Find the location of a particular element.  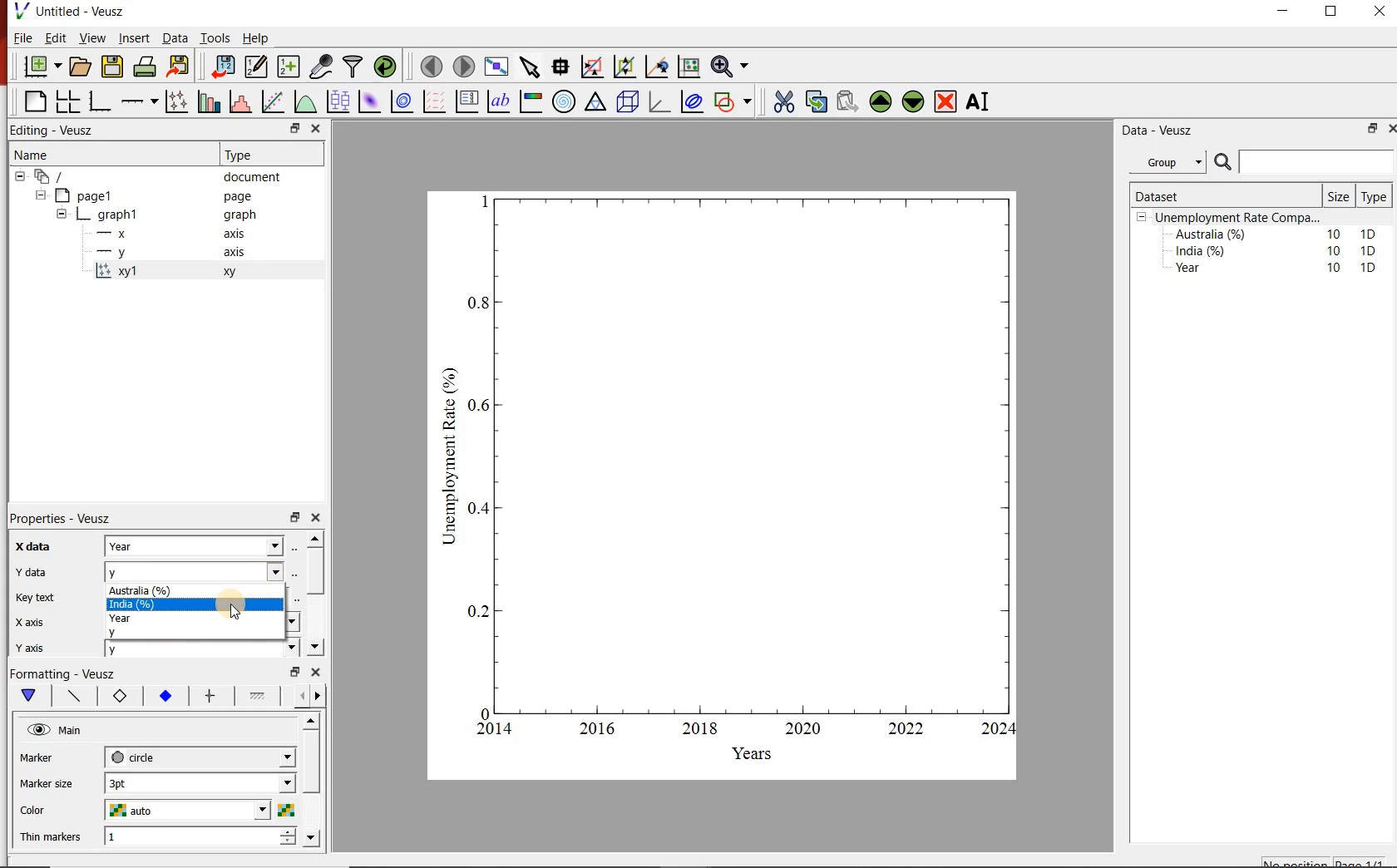

marker fill  is located at coordinates (166, 697).